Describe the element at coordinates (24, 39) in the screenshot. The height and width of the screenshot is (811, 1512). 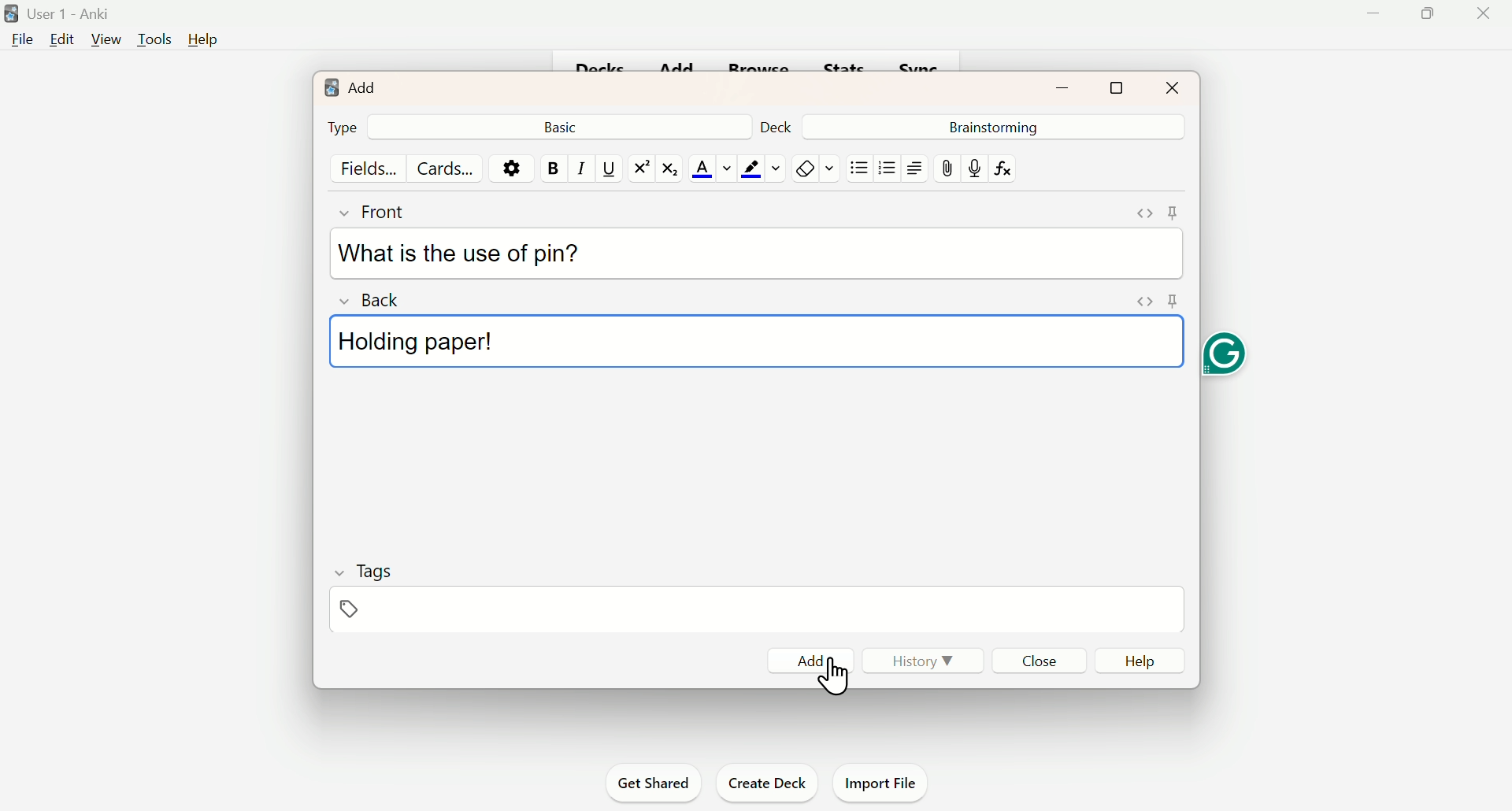
I see `` at that location.